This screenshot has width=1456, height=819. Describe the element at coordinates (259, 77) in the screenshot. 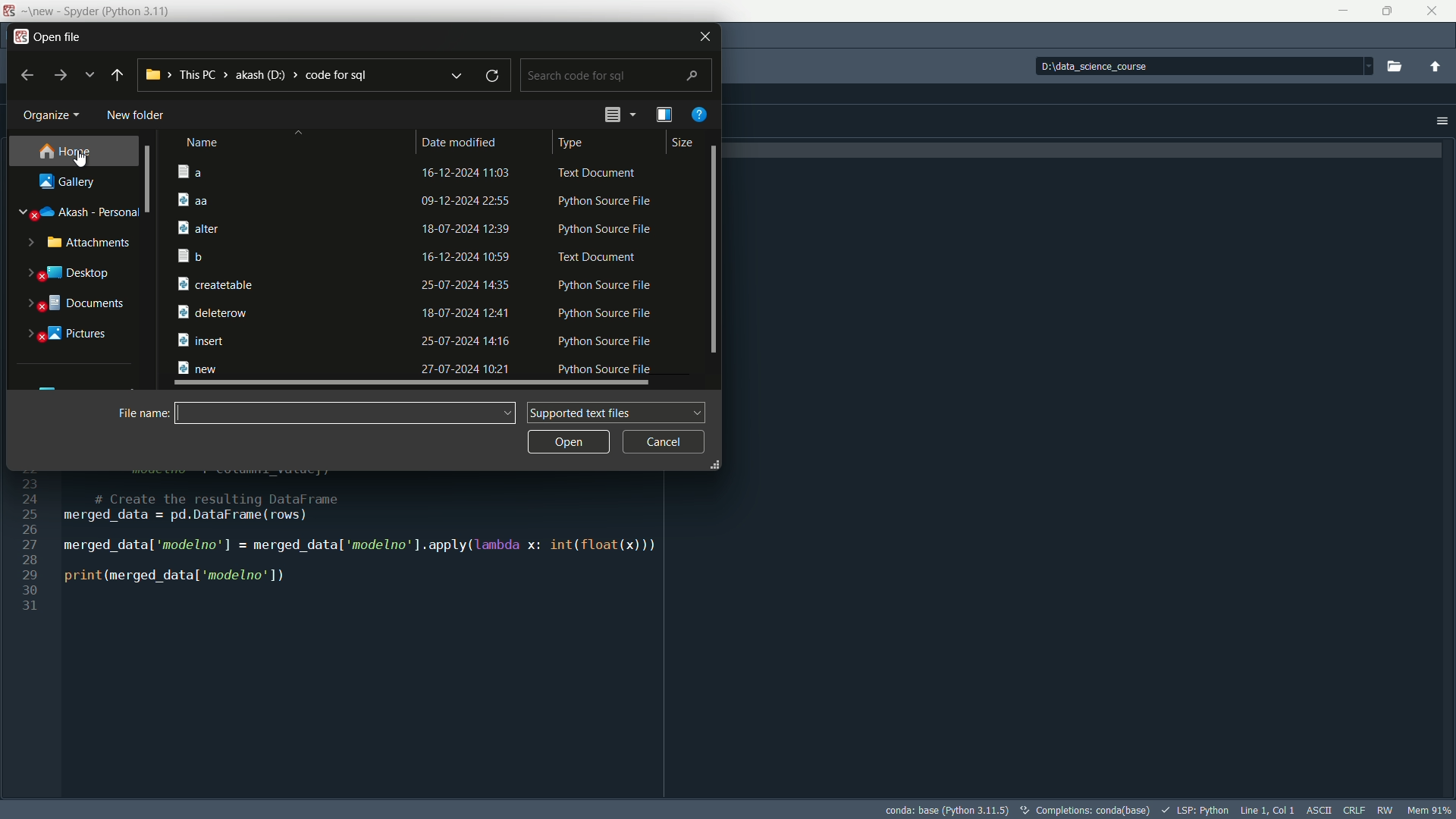

I see `directory path` at that location.